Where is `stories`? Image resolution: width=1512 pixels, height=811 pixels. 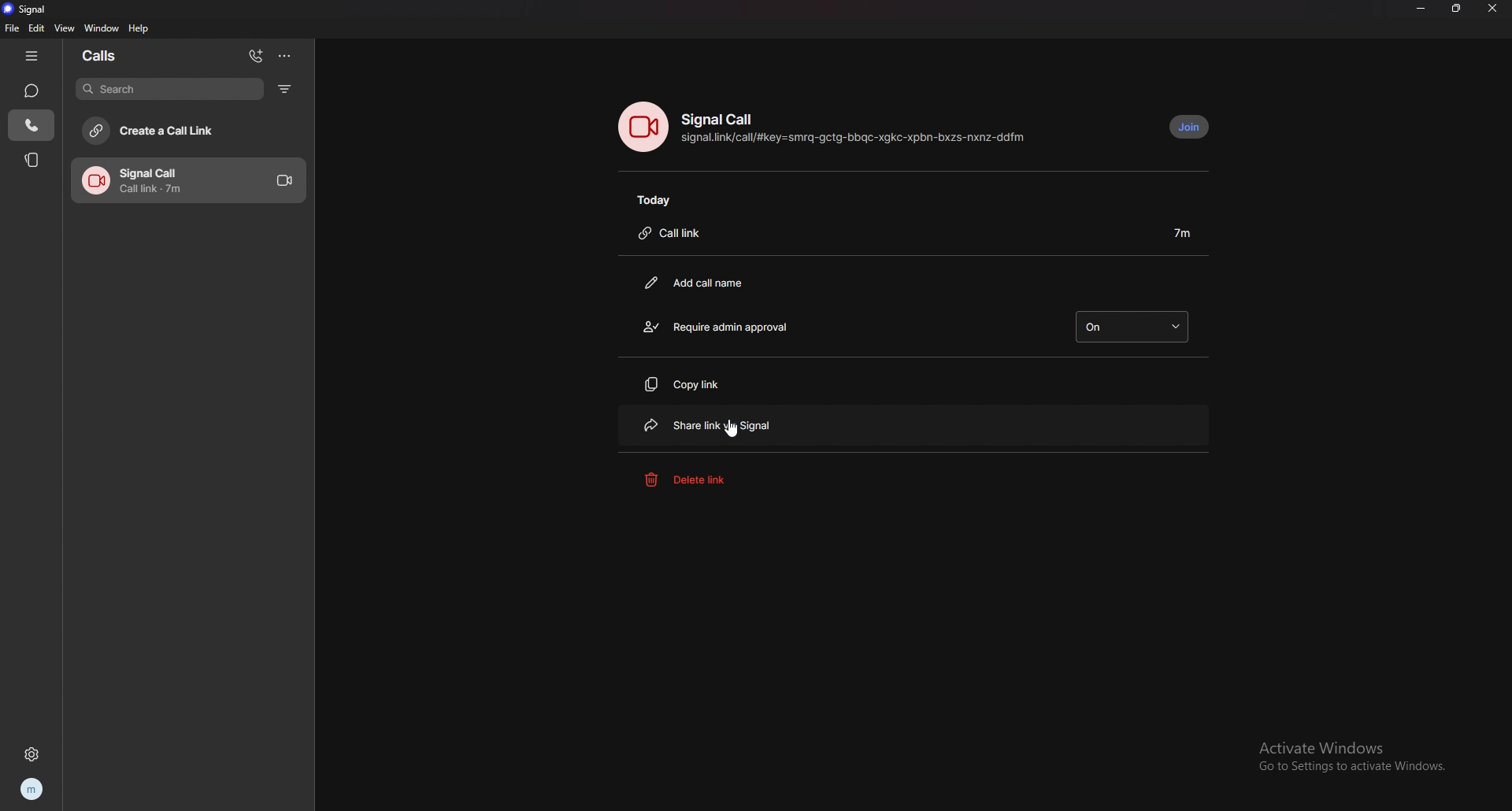
stories is located at coordinates (34, 159).